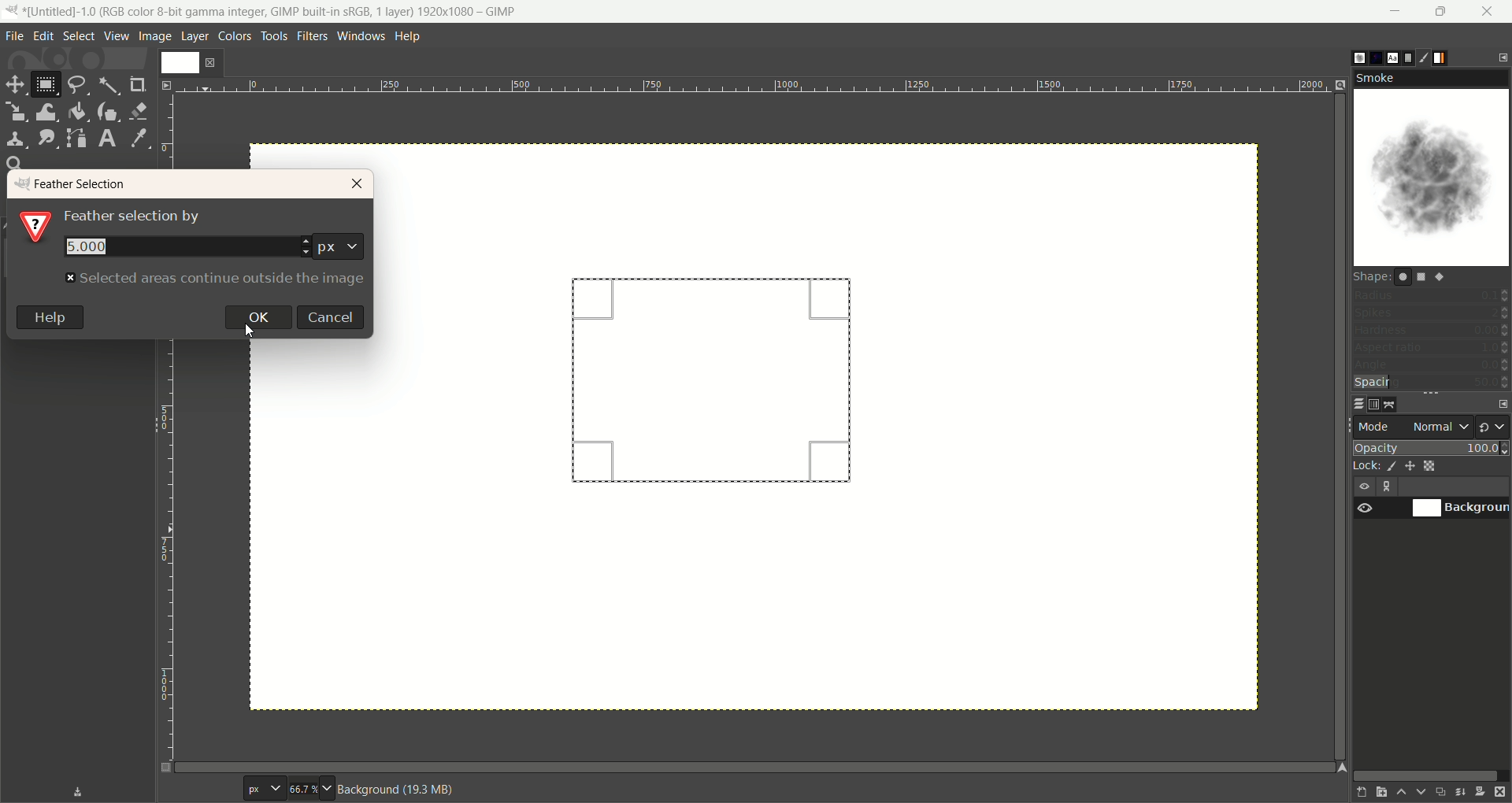 This screenshot has width=1512, height=803. What do you see at coordinates (49, 316) in the screenshot?
I see `help` at bounding box center [49, 316].